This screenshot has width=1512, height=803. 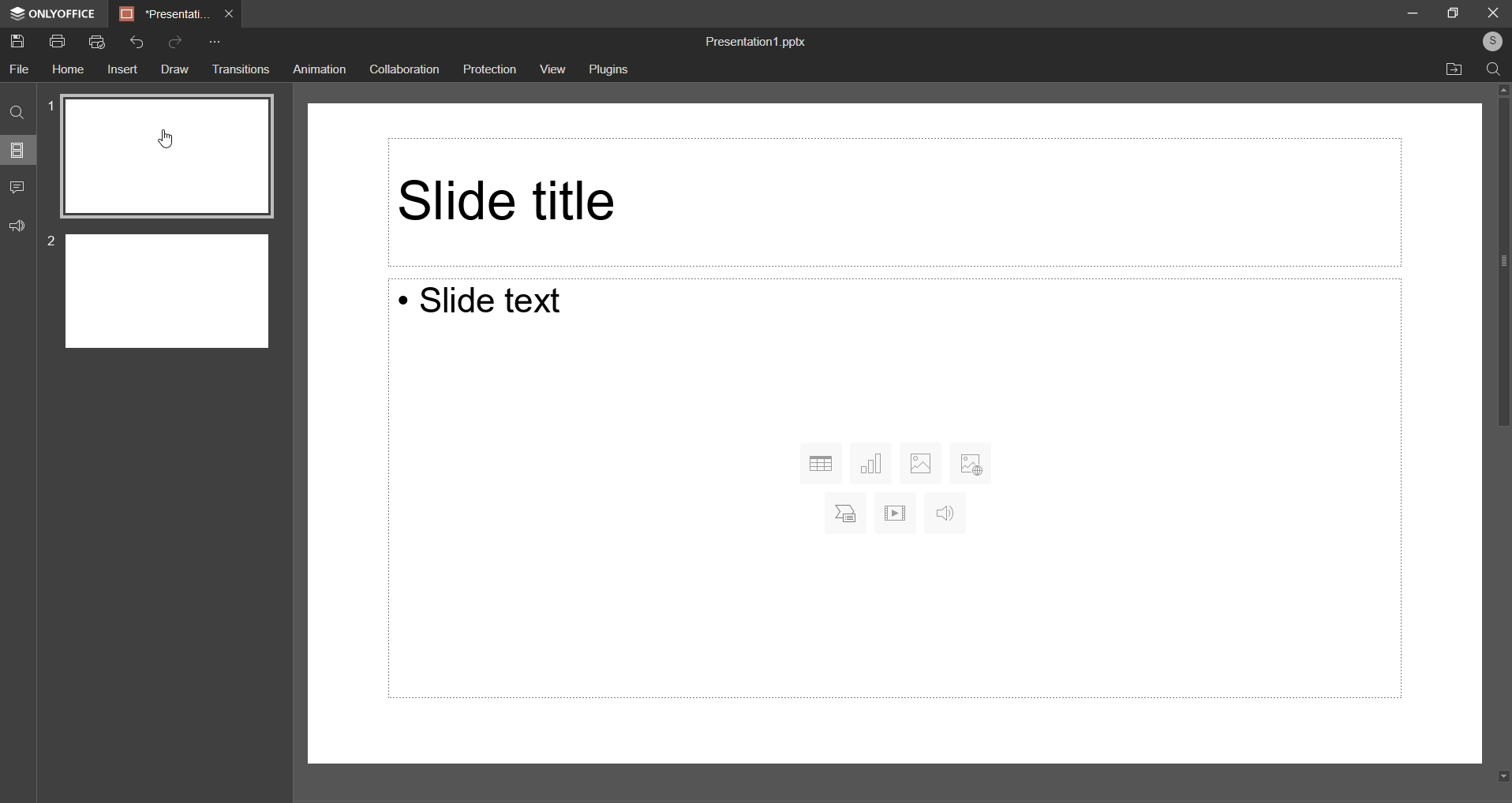 I want to click on Undo, so click(x=136, y=42).